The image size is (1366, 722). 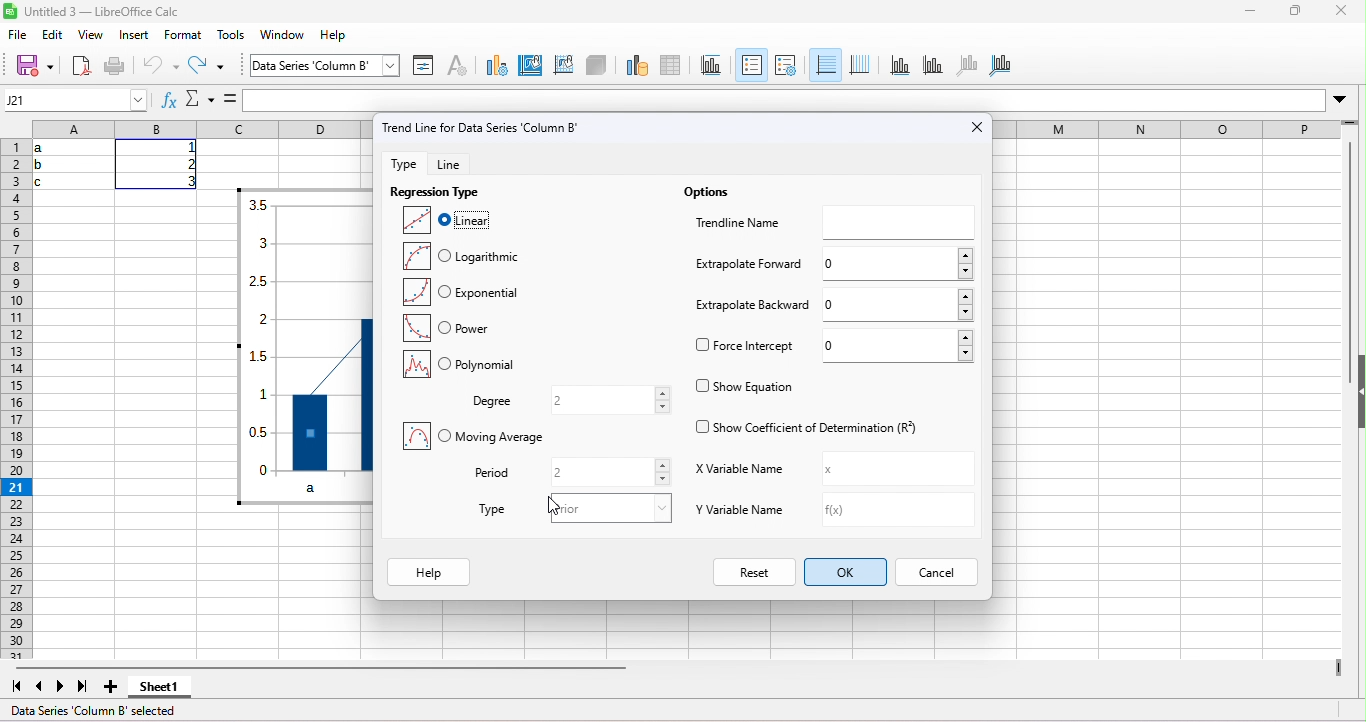 What do you see at coordinates (786, 514) in the screenshot?
I see `y variable name` at bounding box center [786, 514].